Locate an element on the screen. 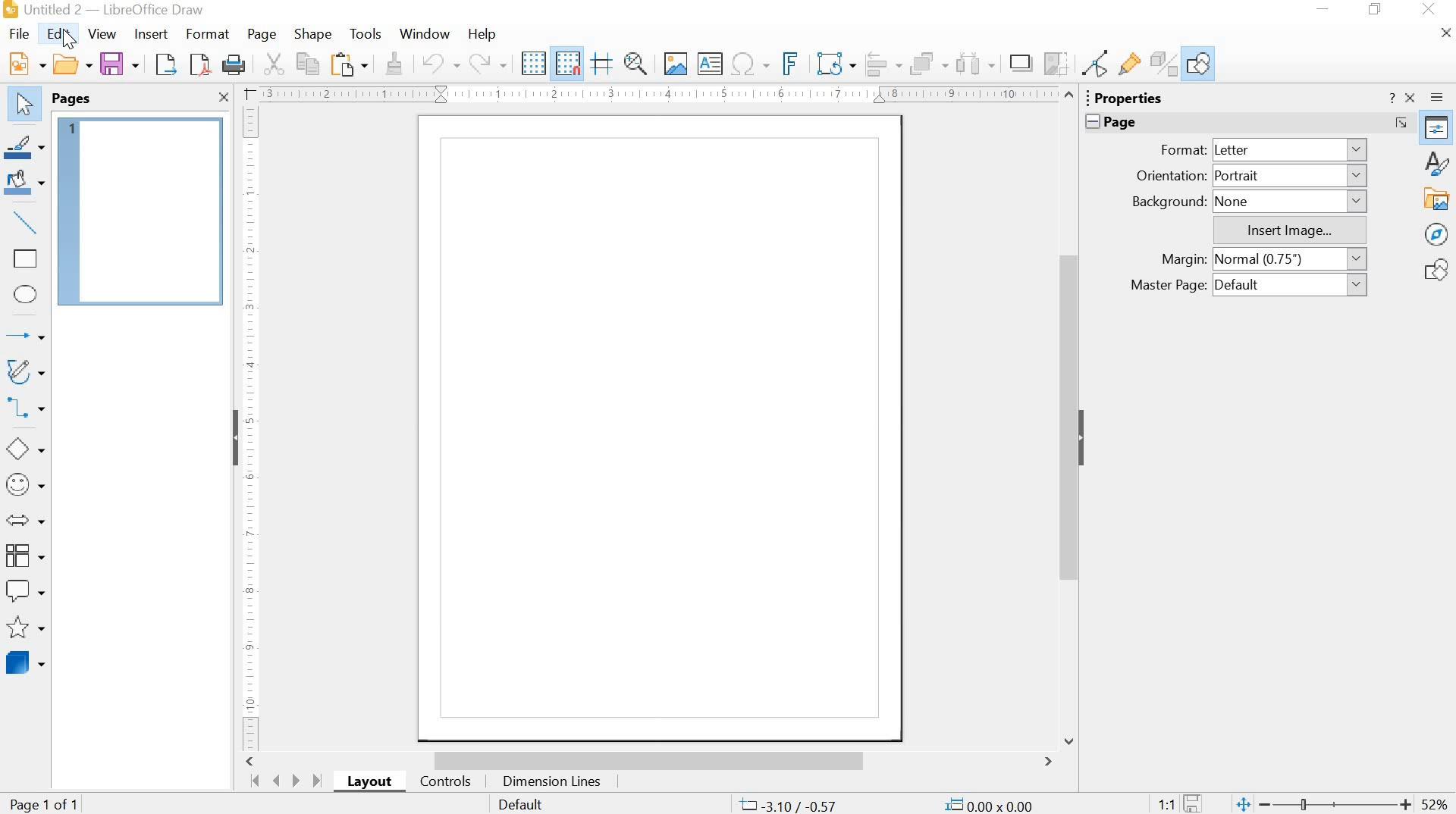  More Options is located at coordinates (1400, 122).